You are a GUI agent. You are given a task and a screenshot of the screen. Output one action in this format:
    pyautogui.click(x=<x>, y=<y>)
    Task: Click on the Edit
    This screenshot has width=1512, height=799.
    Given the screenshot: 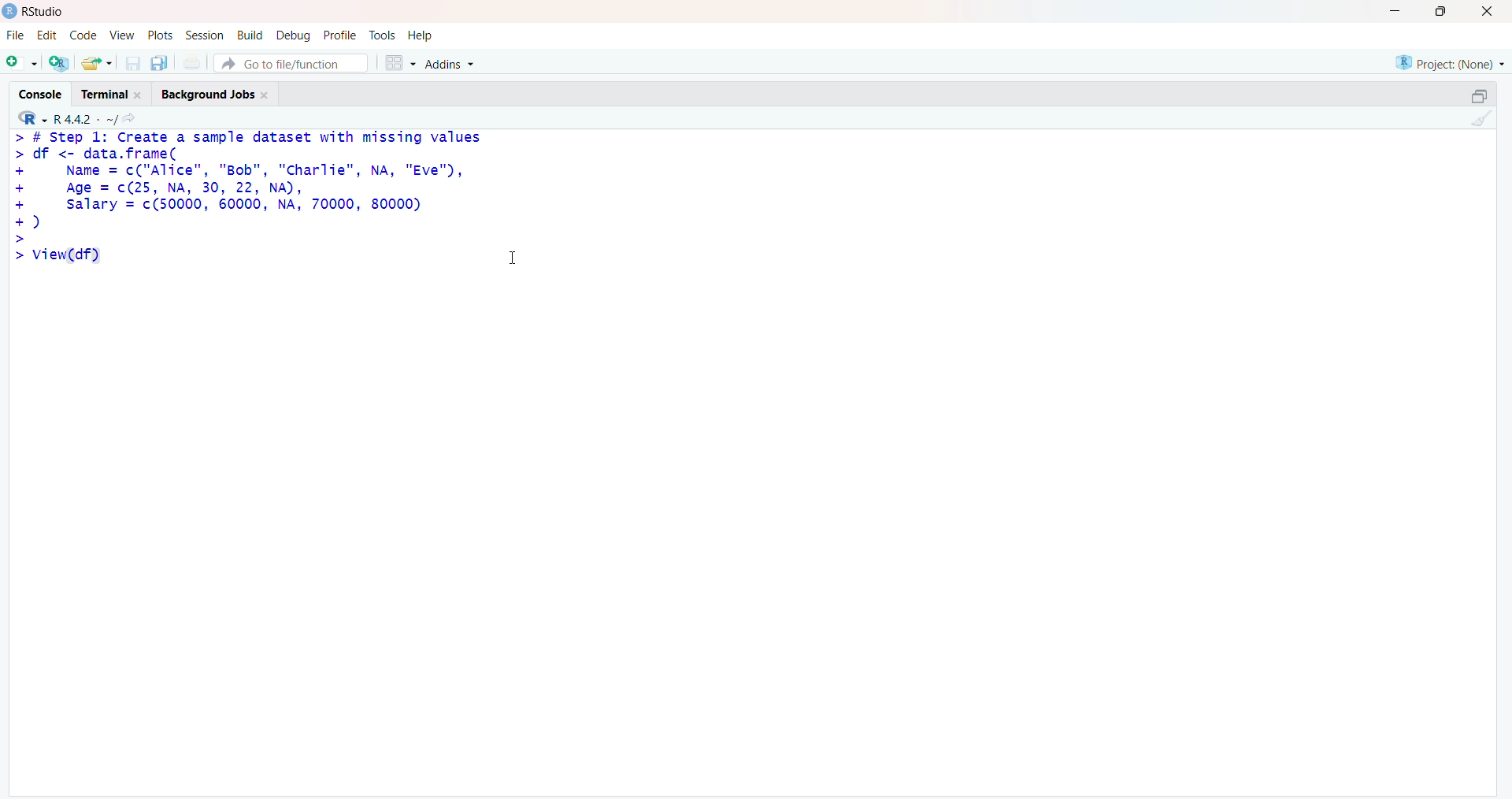 What is the action you would take?
    pyautogui.click(x=46, y=36)
    